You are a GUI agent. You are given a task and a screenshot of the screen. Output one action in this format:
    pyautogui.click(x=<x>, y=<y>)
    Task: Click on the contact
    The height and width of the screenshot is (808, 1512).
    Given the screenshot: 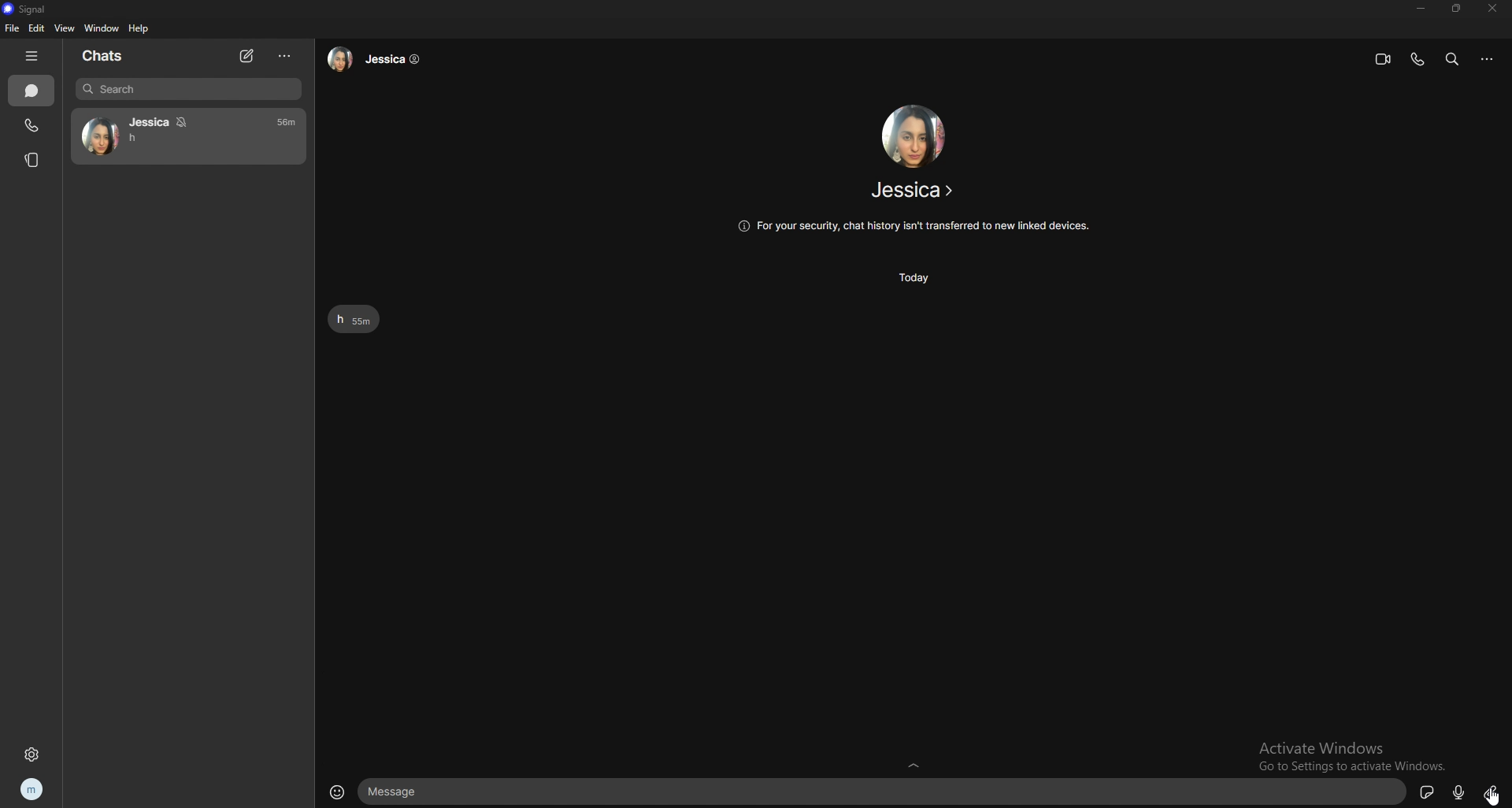 What is the action you would take?
    pyautogui.click(x=378, y=59)
    